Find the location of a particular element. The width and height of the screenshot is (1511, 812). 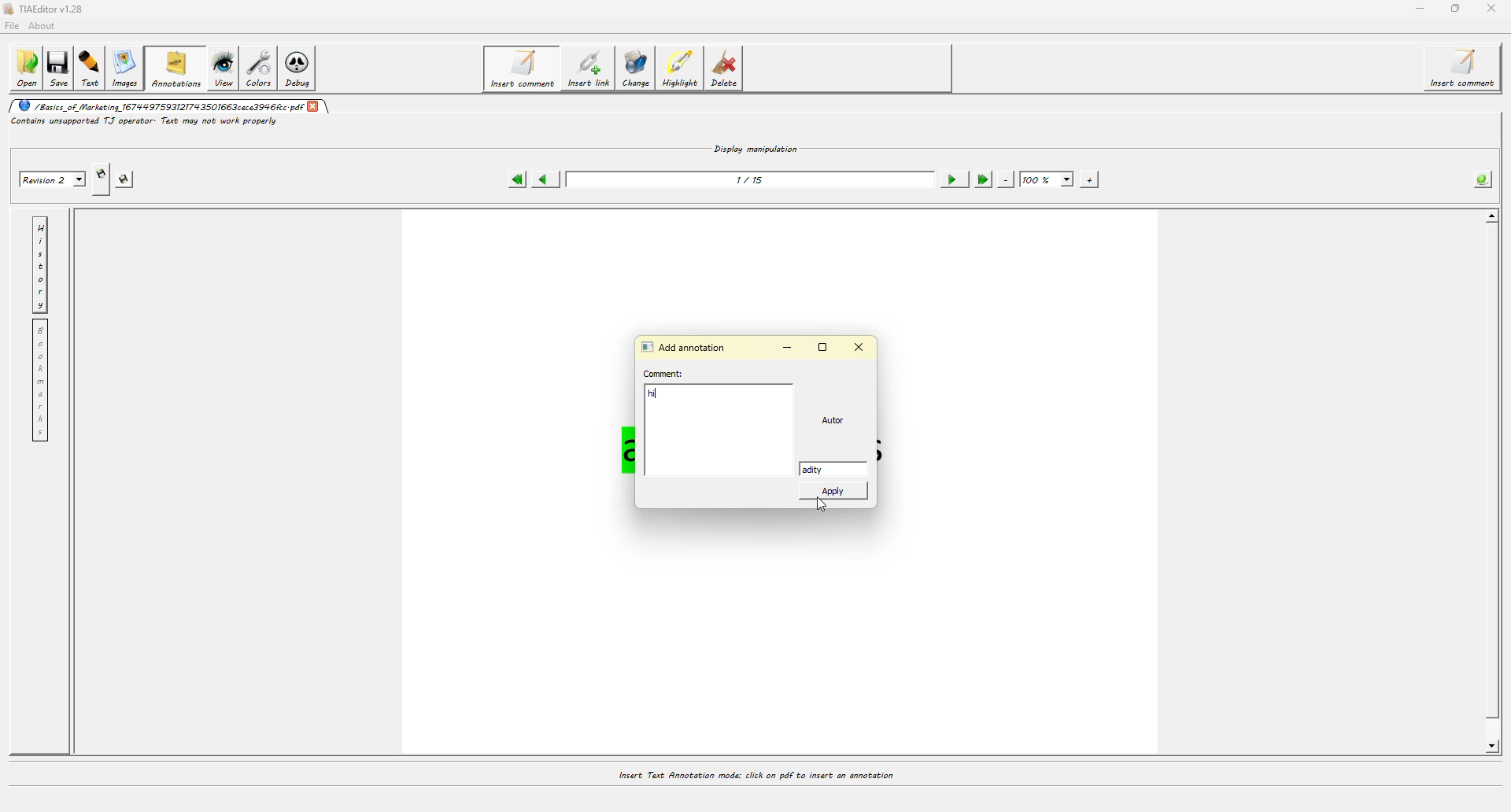

bookmarks is located at coordinates (39, 381).